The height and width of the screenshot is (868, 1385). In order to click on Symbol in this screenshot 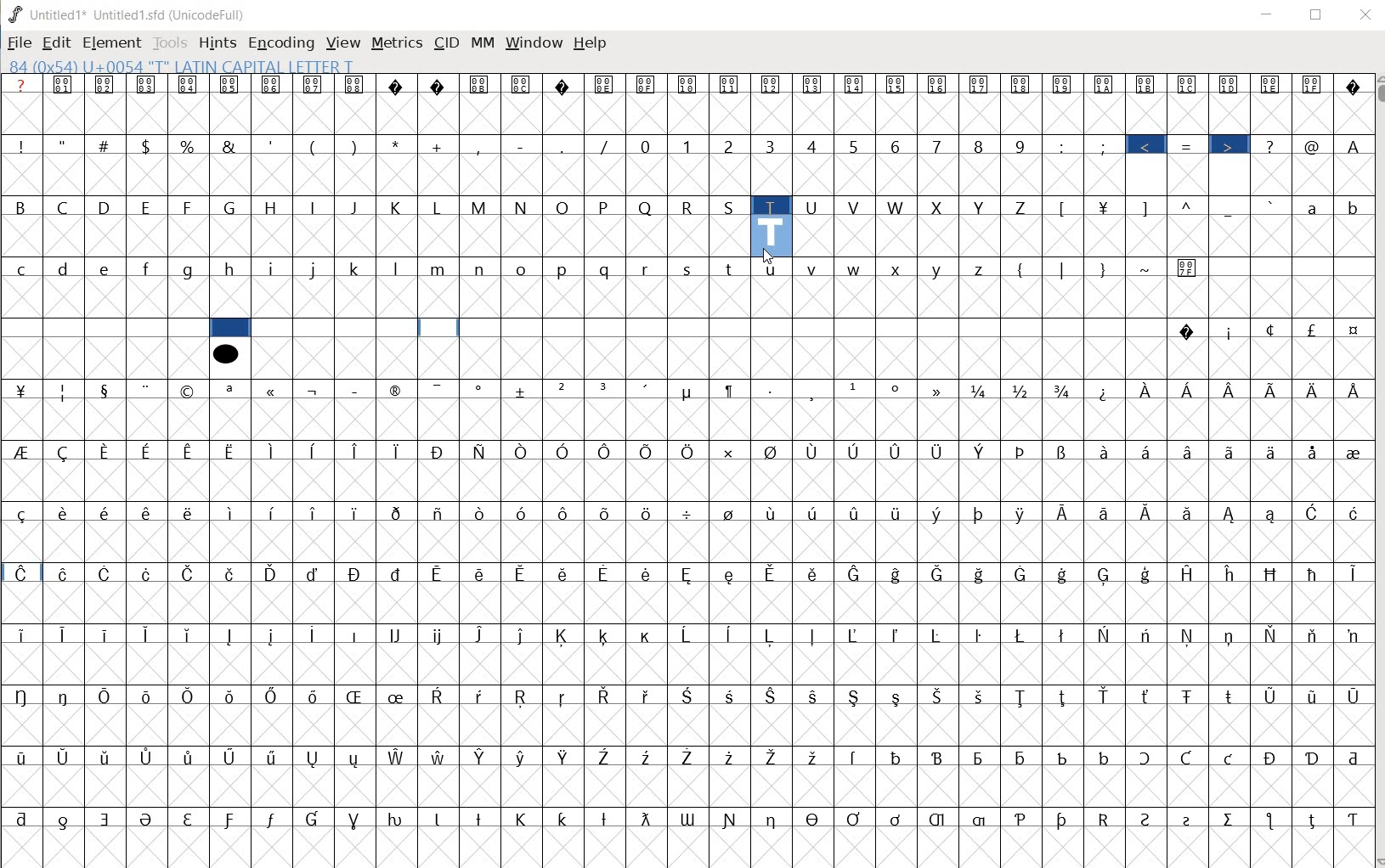, I will do `click(648, 451)`.